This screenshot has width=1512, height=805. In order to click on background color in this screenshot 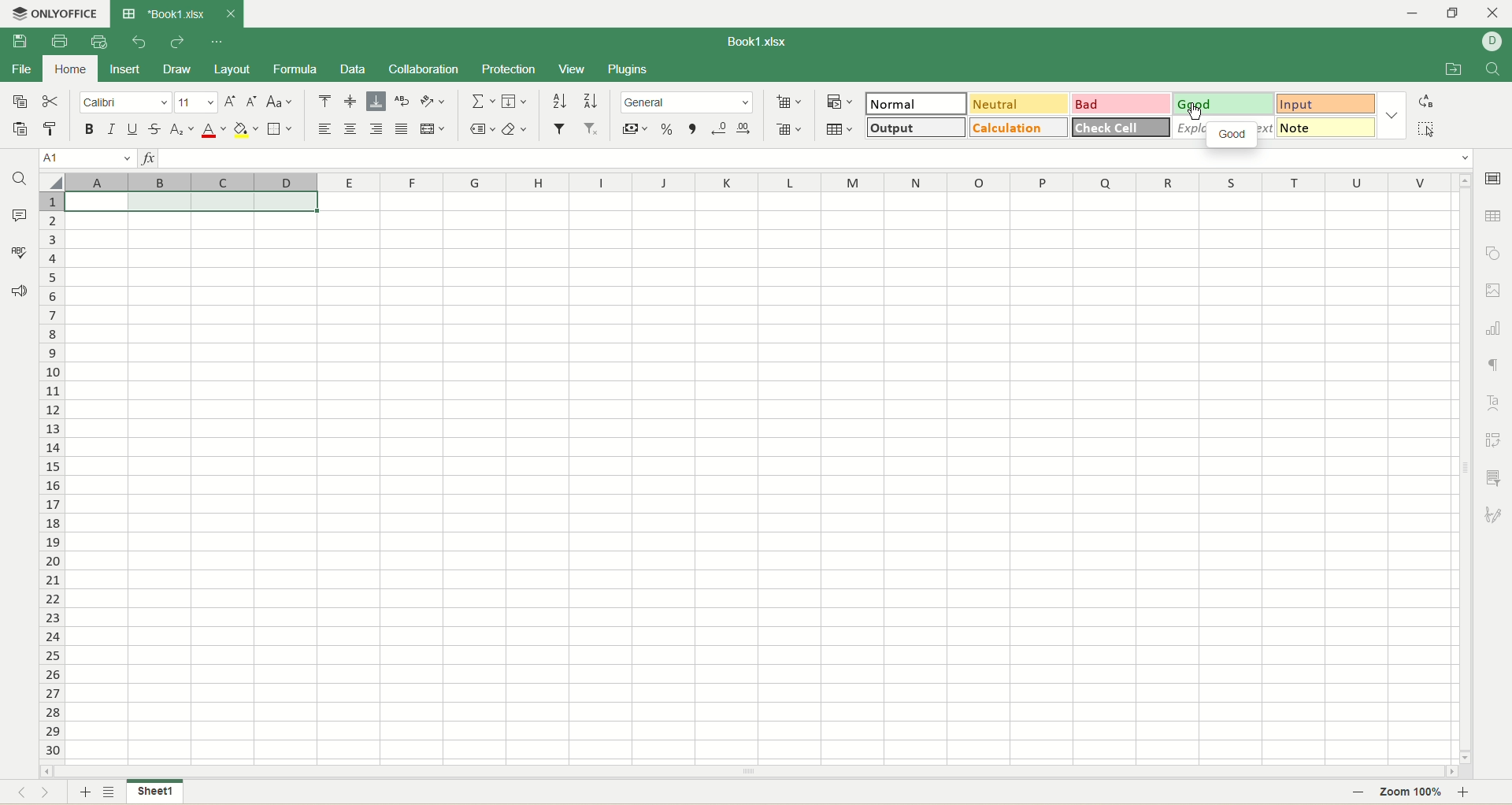, I will do `click(245, 129)`.